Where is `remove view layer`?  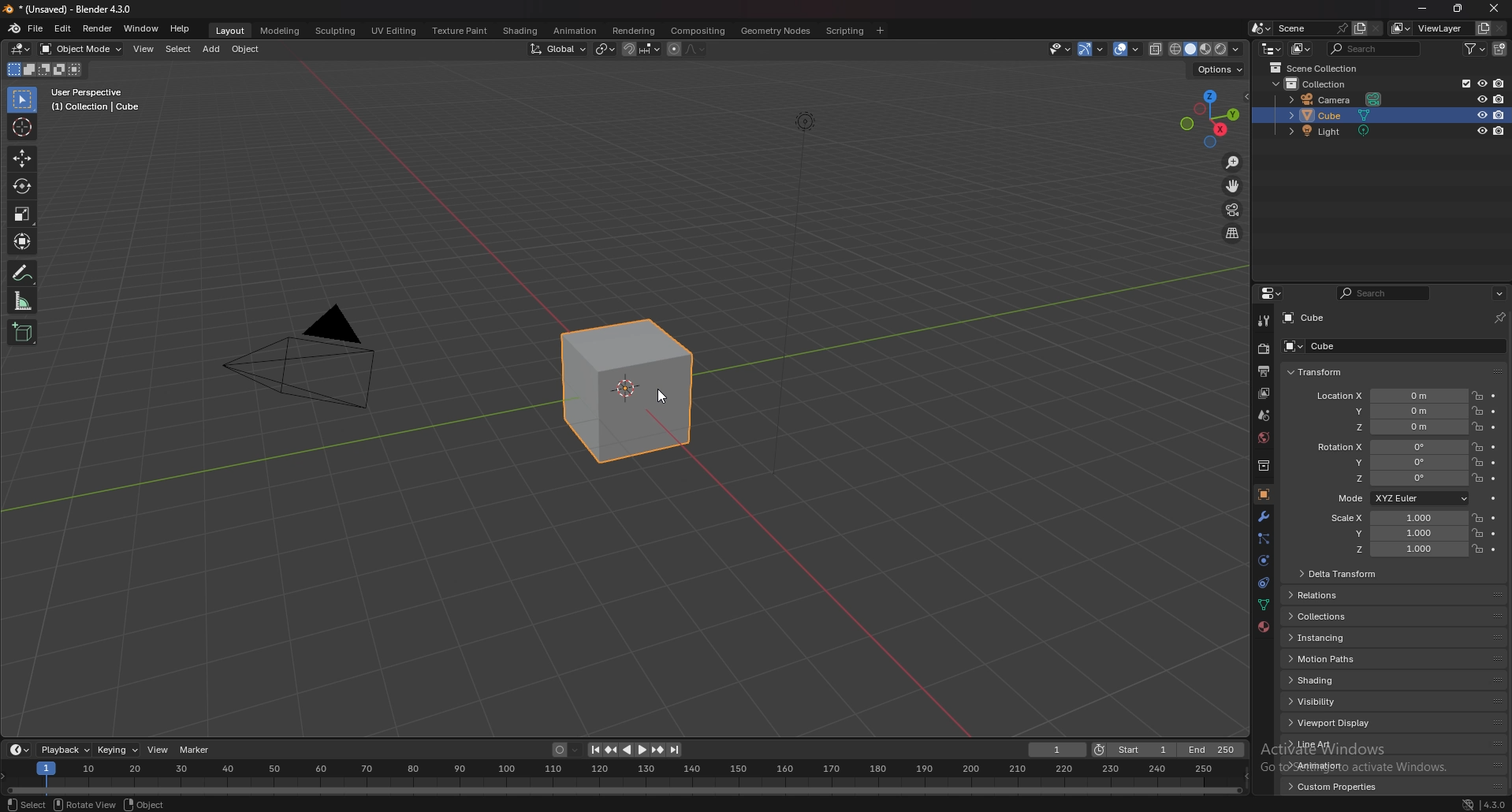
remove view layer is located at coordinates (1501, 28).